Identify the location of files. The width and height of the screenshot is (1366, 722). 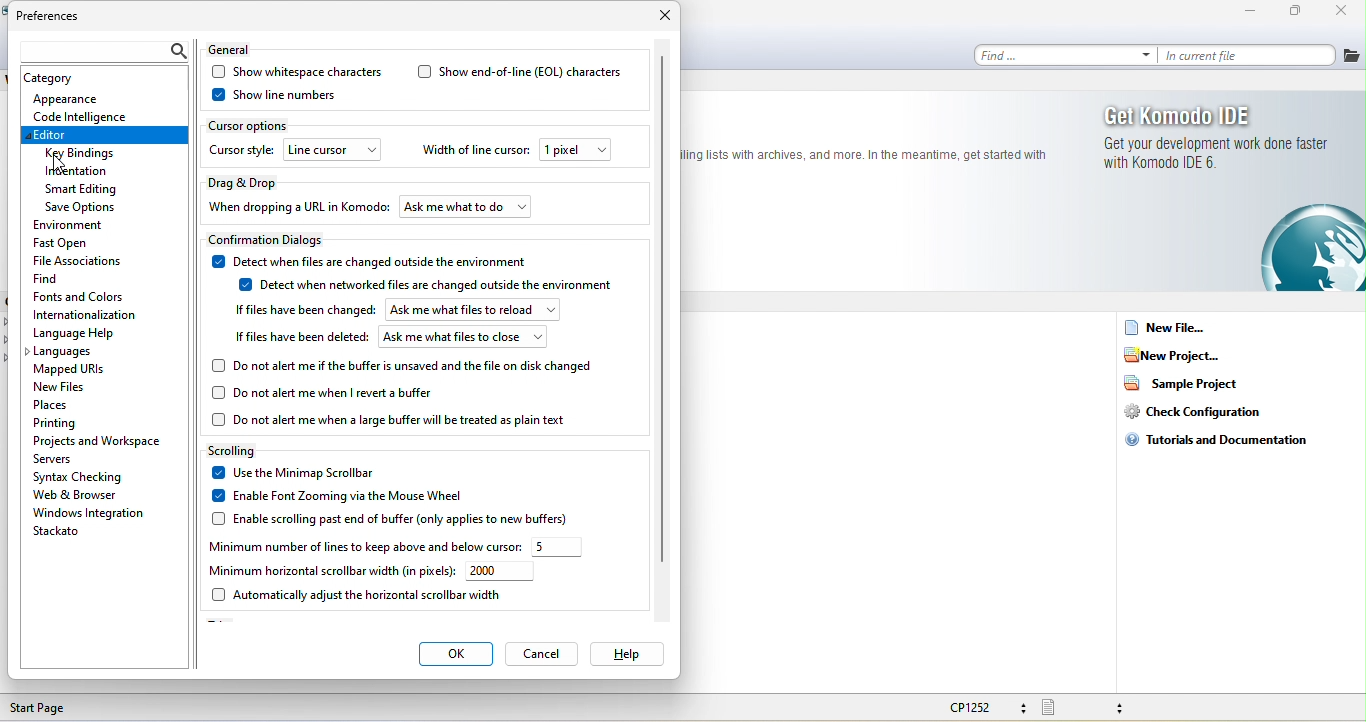
(1352, 56).